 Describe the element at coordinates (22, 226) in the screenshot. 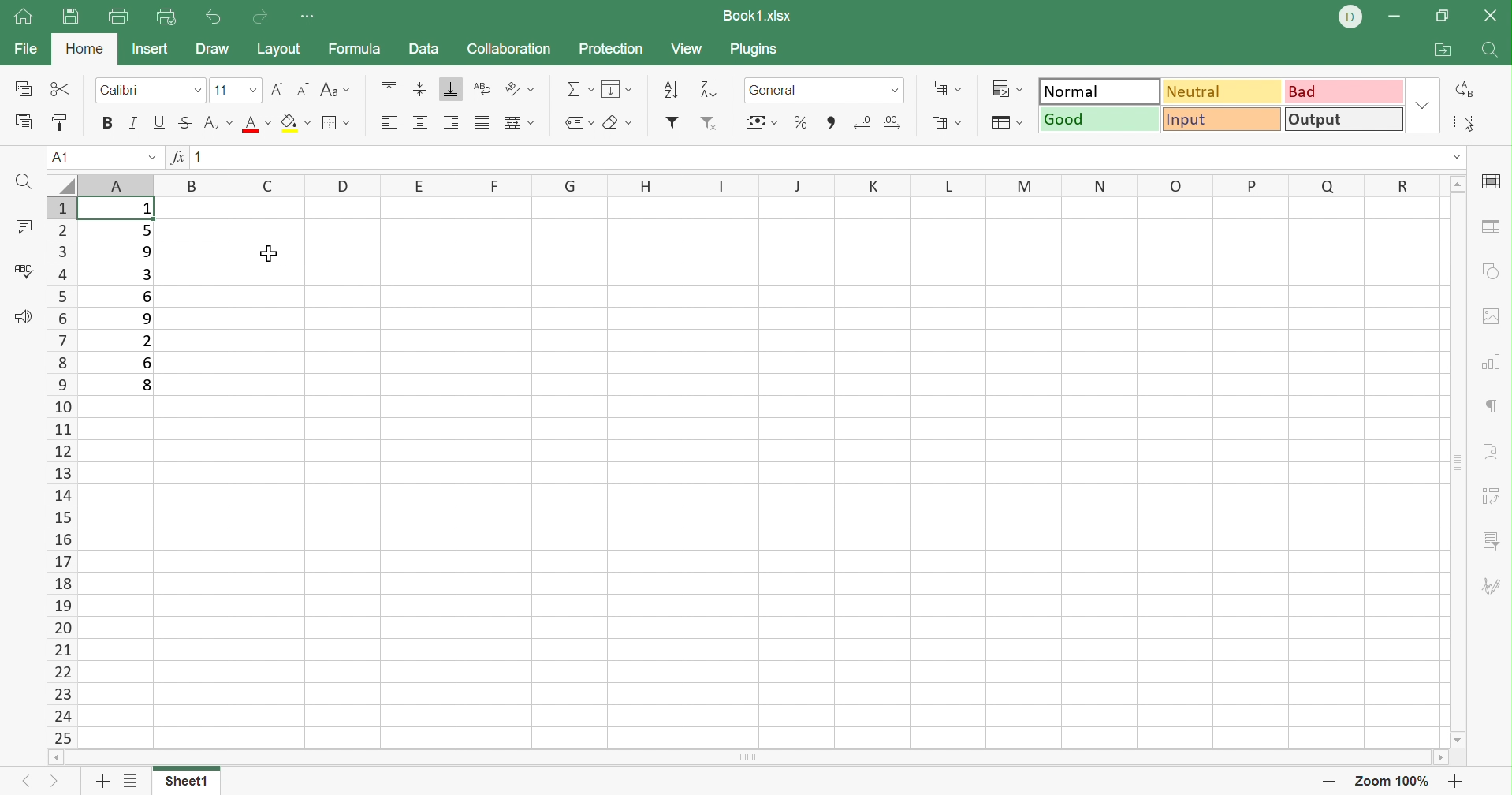

I see `Comment` at that location.